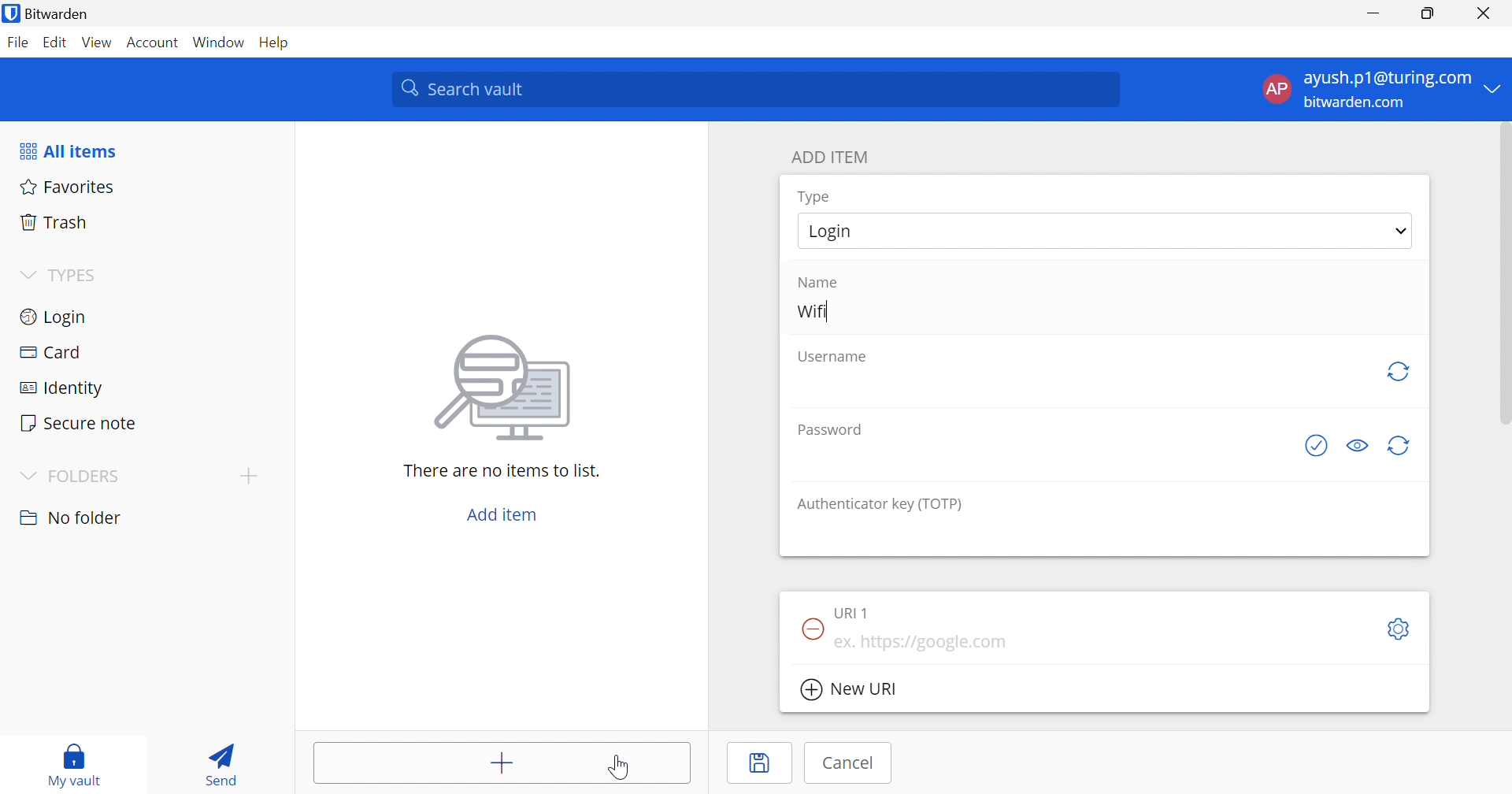 Image resolution: width=1512 pixels, height=794 pixels. Describe the element at coordinates (1398, 371) in the screenshot. I see `Regenerate username` at that location.